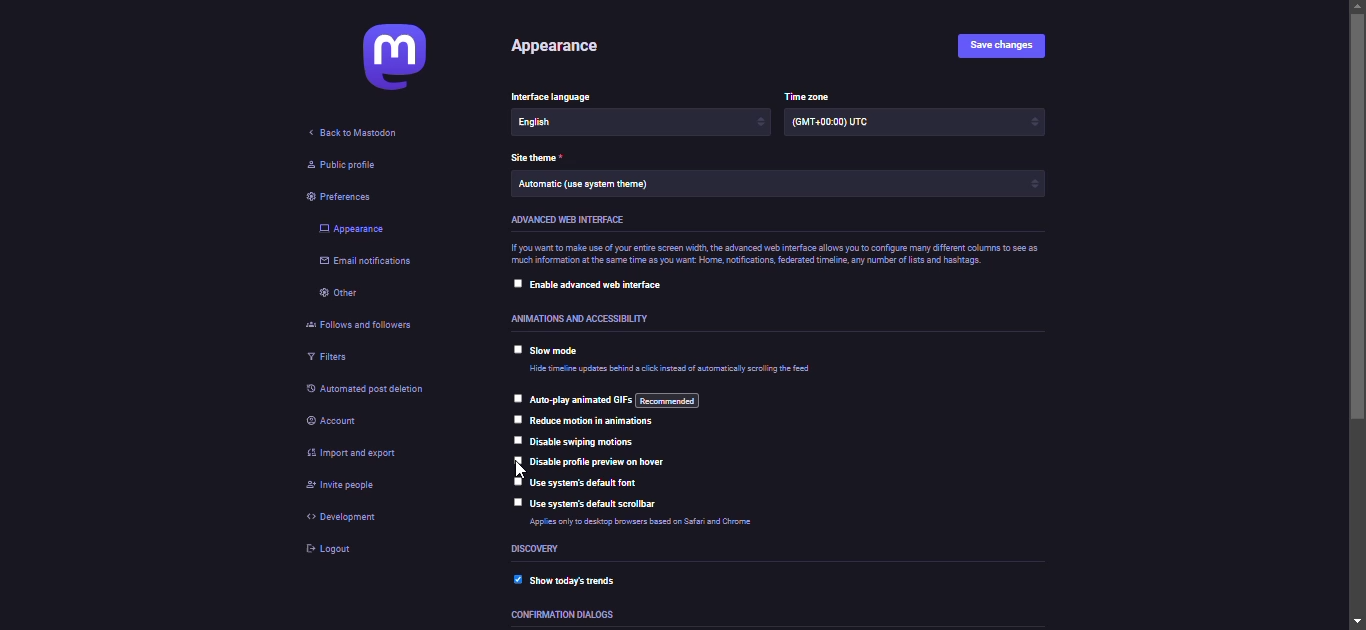 The image size is (1366, 630). What do you see at coordinates (1359, 316) in the screenshot?
I see `scroll bar` at bounding box center [1359, 316].